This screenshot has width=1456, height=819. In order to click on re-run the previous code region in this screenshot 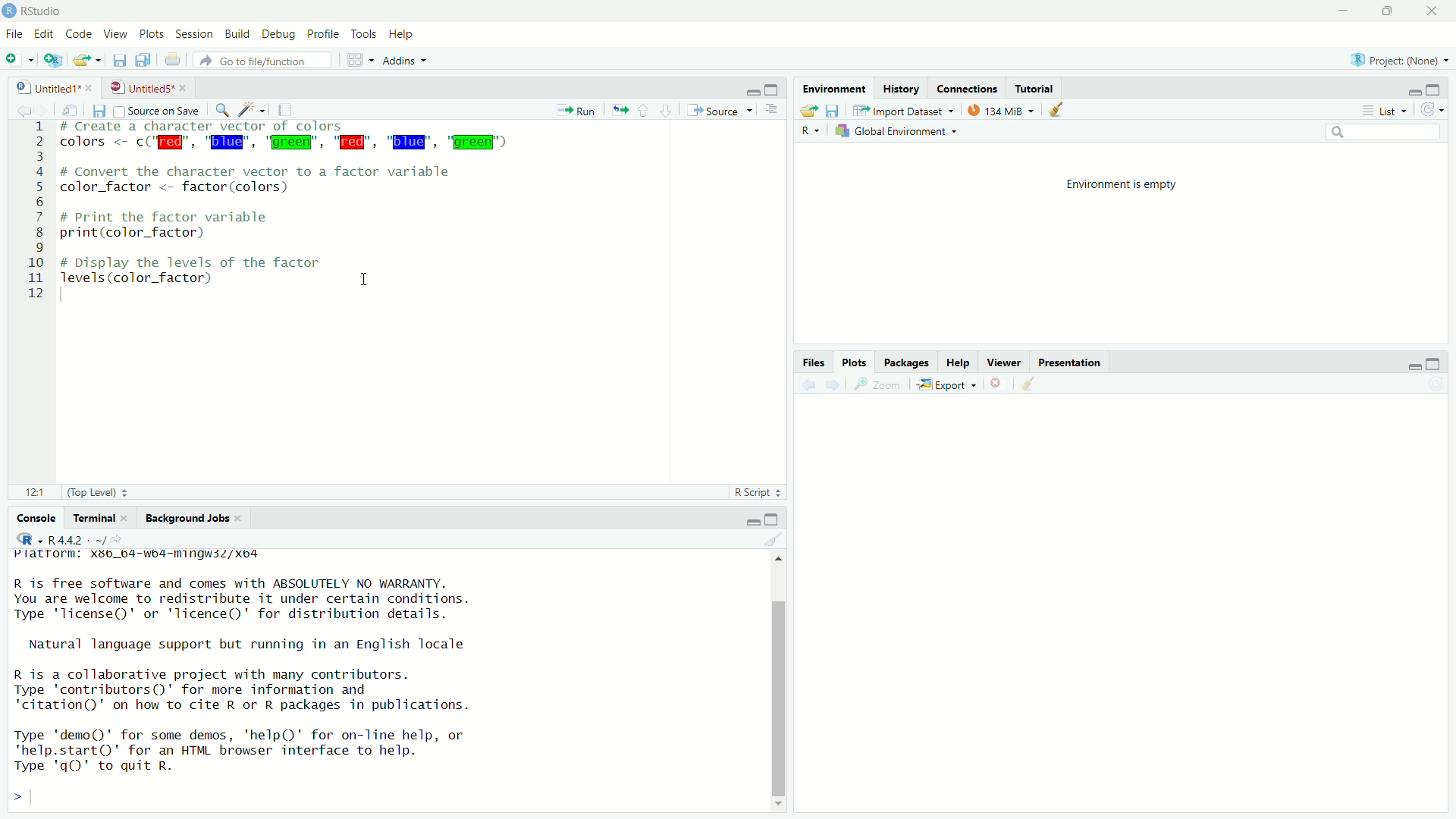, I will do `click(620, 111)`.